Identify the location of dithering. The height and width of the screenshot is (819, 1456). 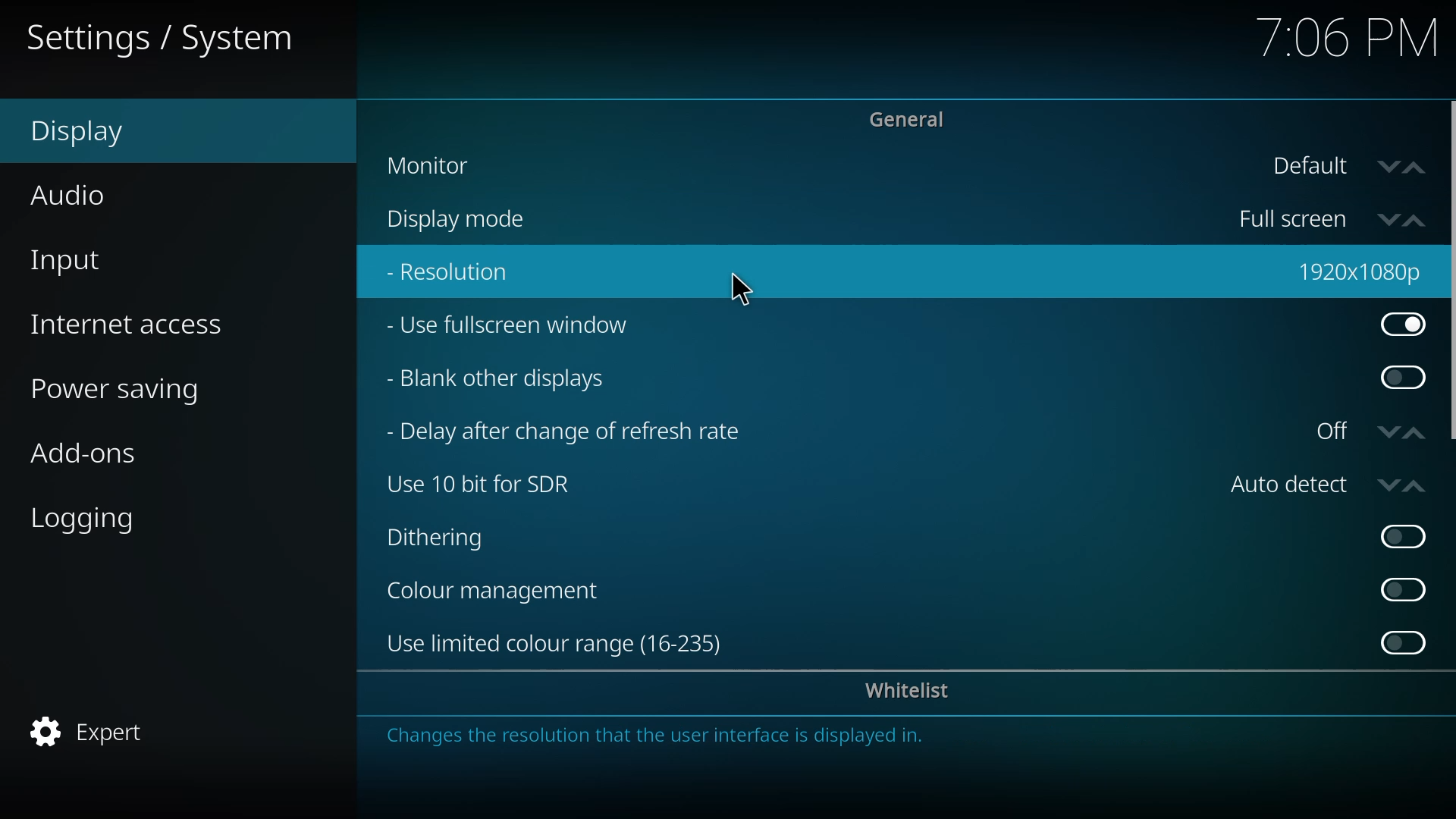
(440, 539).